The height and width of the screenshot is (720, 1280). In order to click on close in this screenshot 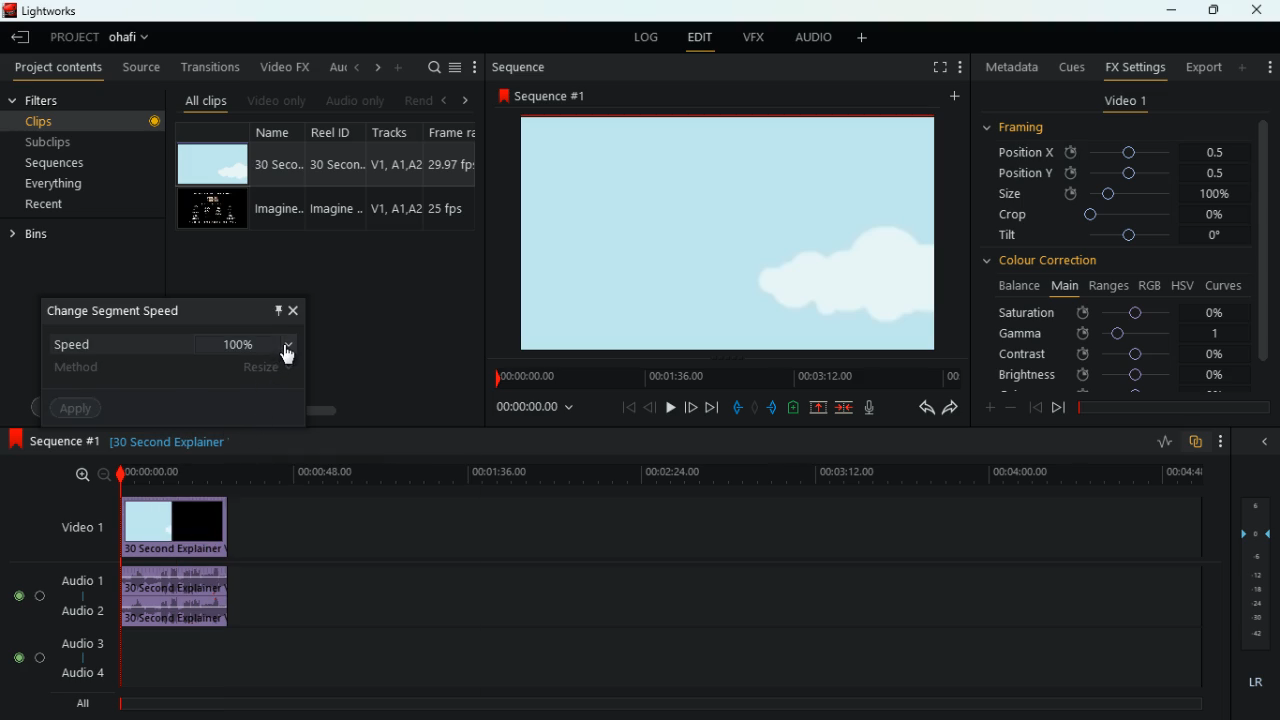, I will do `click(1261, 10)`.